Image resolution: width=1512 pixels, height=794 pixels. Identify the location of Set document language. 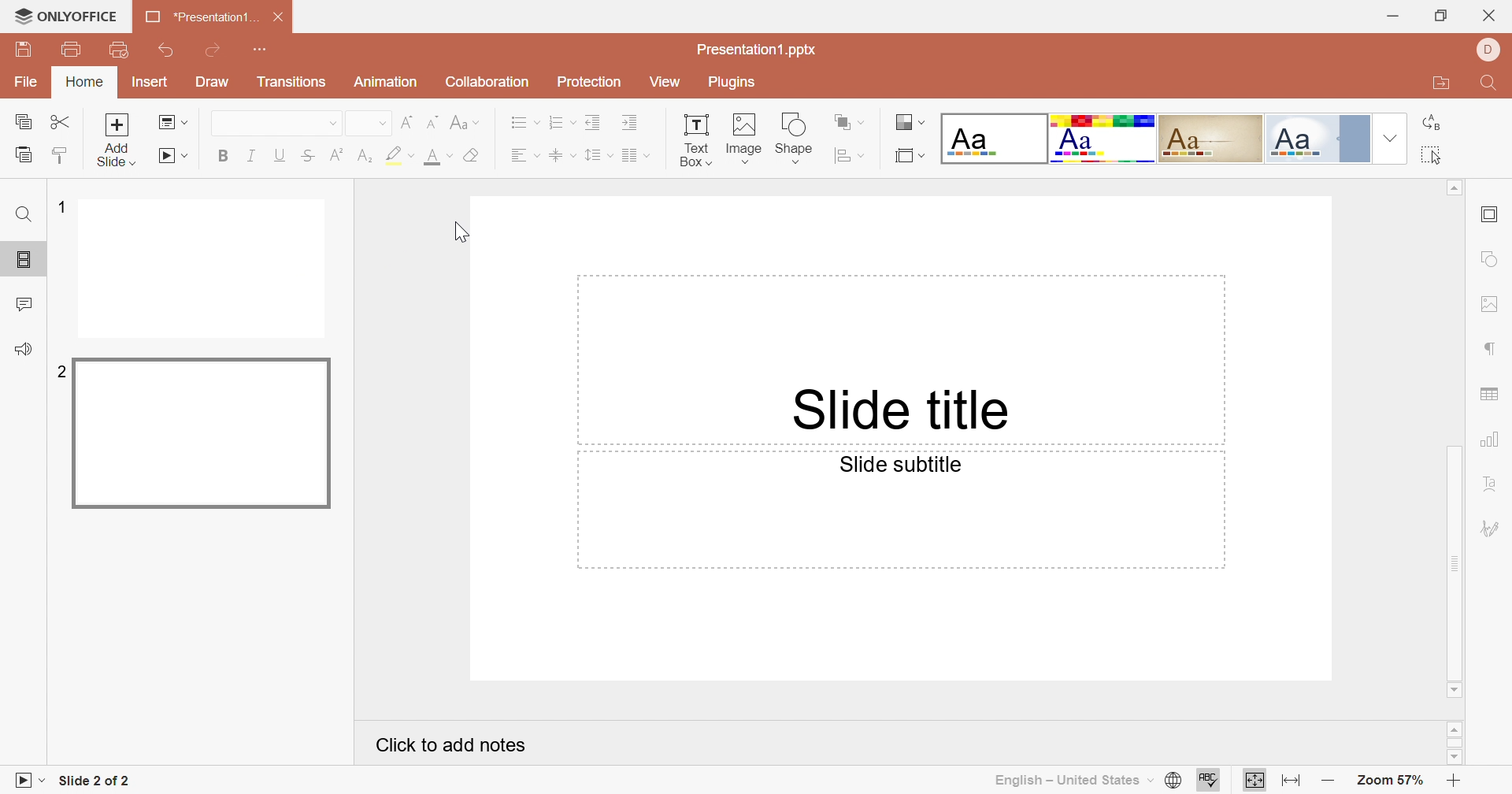
(1175, 781).